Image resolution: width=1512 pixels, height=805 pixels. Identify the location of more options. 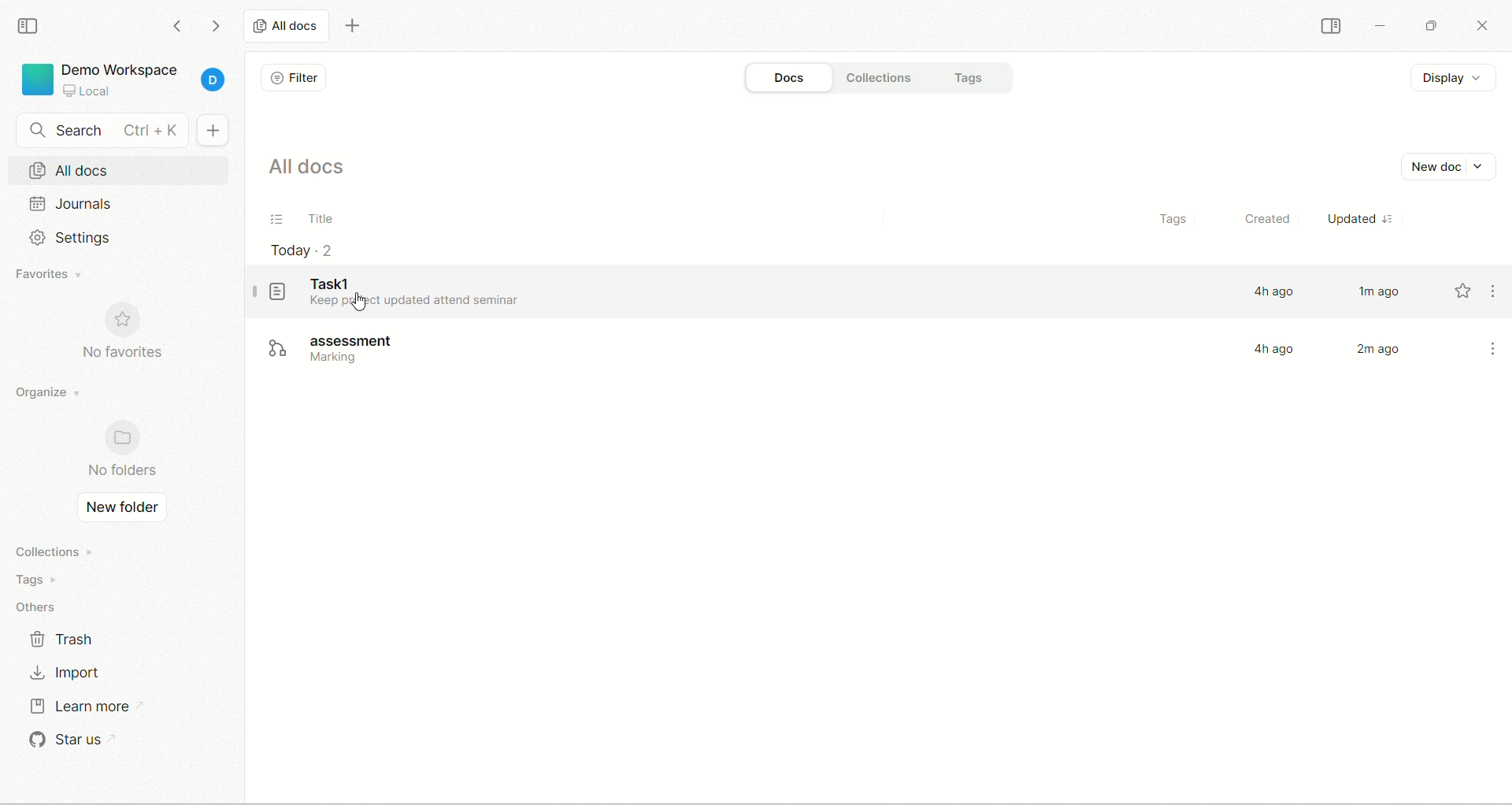
(1495, 291).